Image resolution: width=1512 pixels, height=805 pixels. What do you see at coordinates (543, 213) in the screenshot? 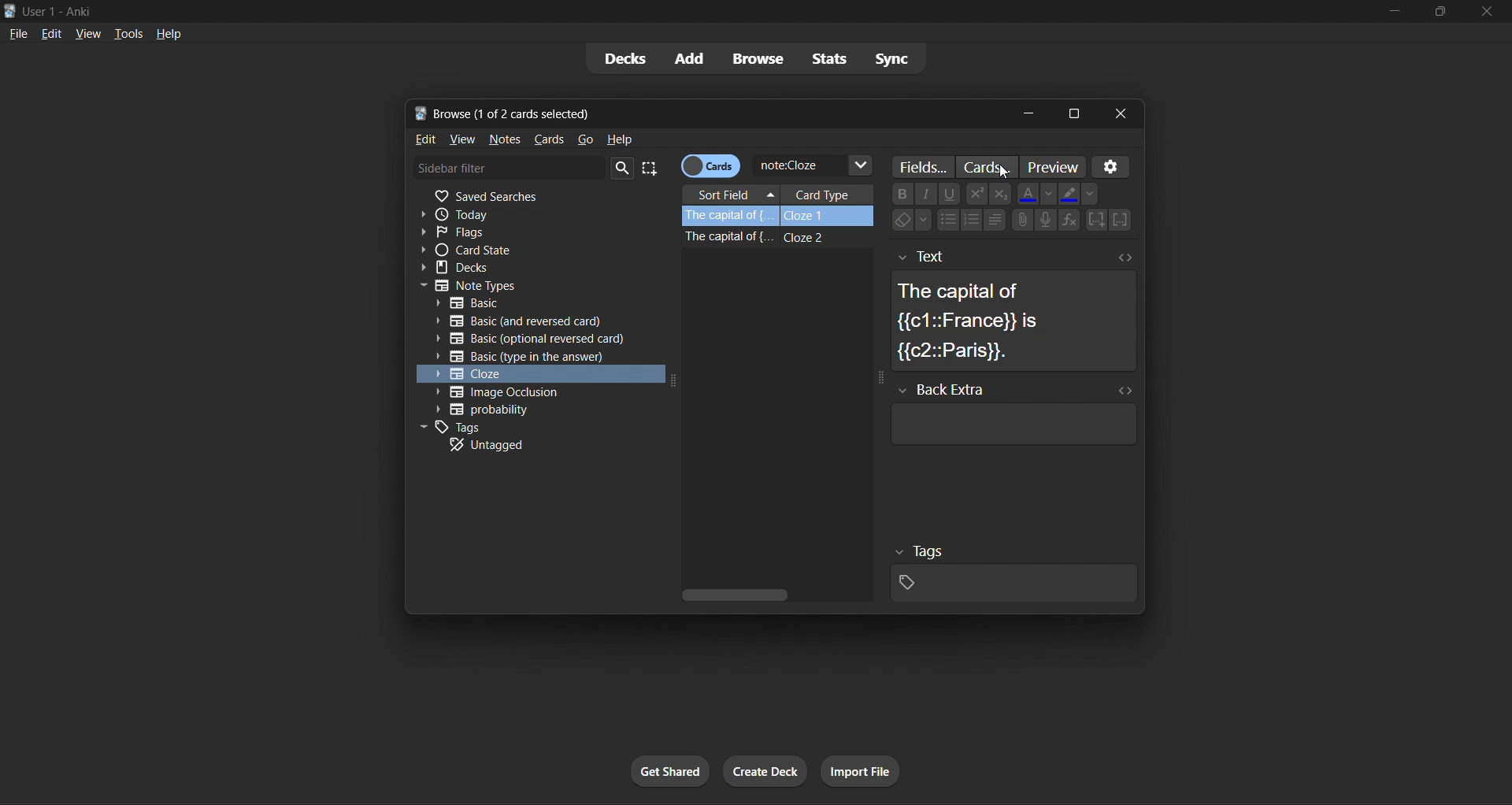
I see `today filter expand` at bounding box center [543, 213].